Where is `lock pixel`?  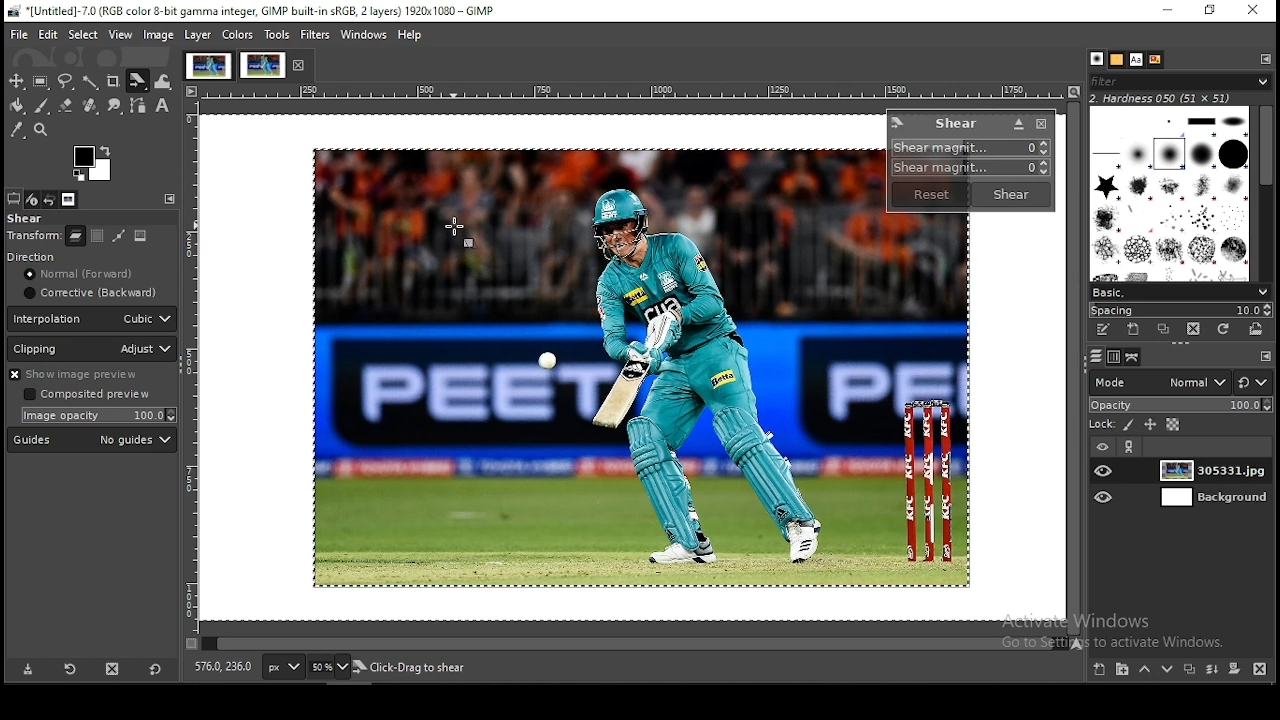 lock pixel is located at coordinates (1129, 427).